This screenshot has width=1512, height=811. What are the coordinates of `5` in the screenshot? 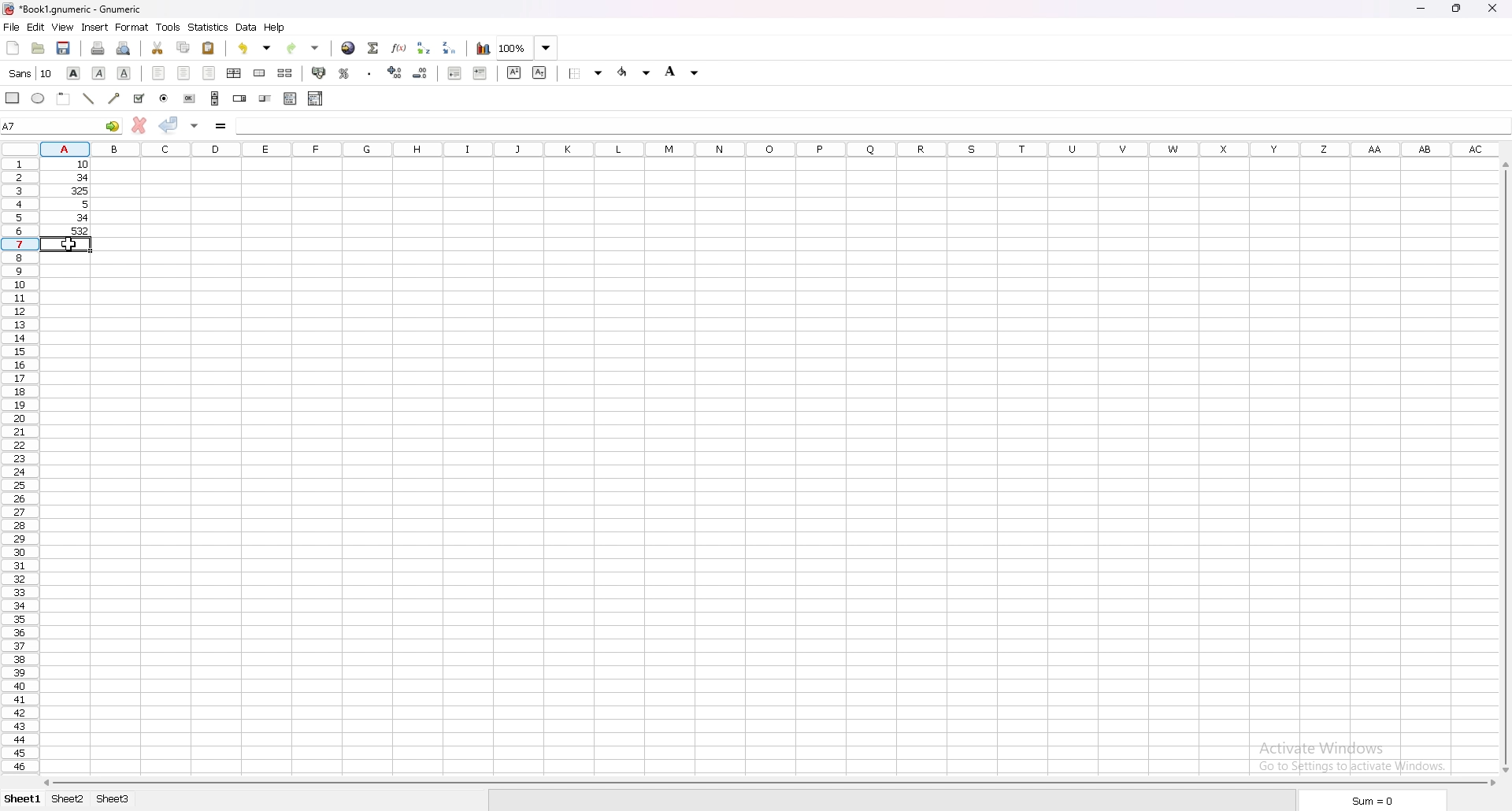 It's located at (74, 205).